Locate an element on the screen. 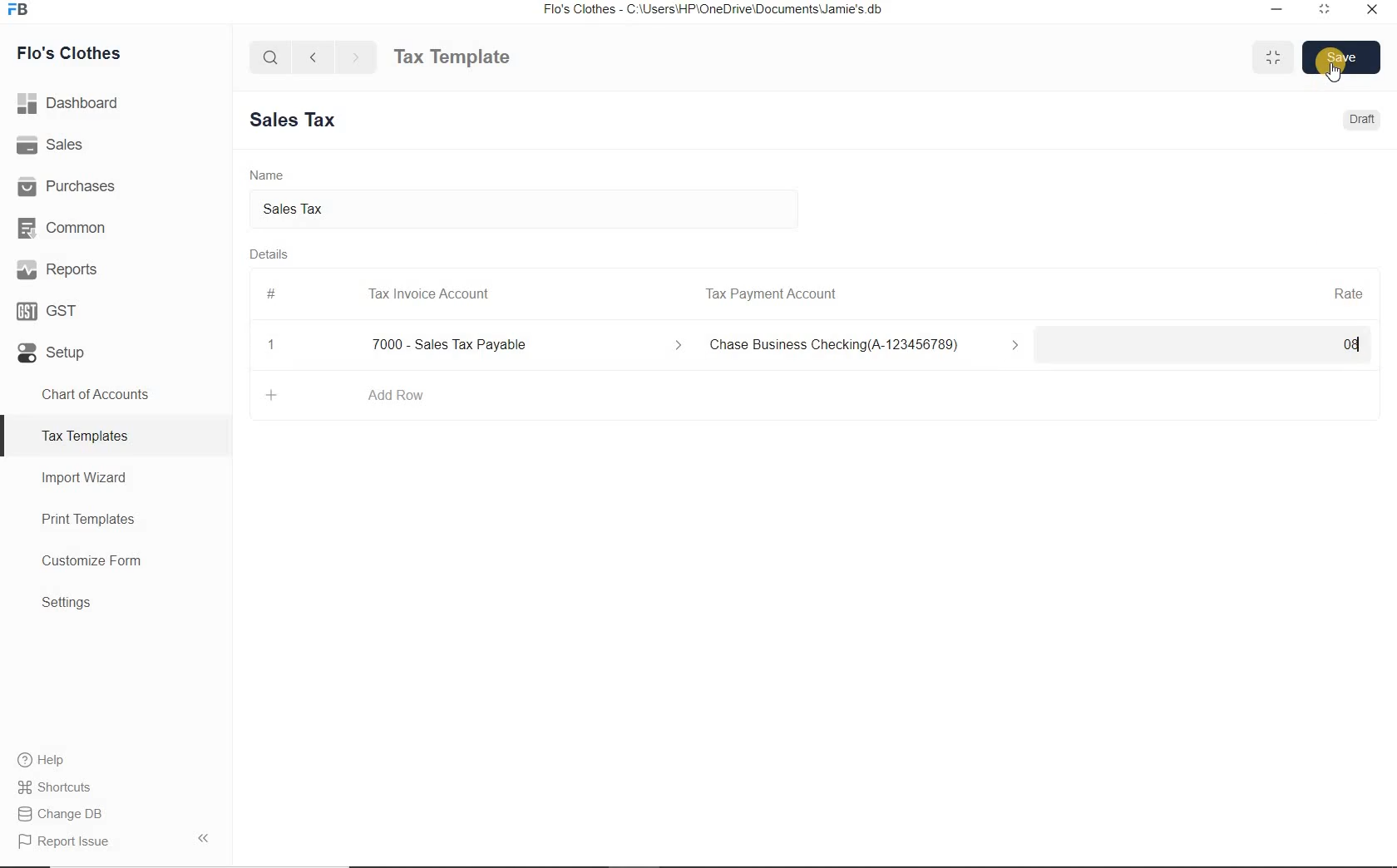 The height and width of the screenshot is (868, 1397). New Entry is located at coordinates (299, 121).